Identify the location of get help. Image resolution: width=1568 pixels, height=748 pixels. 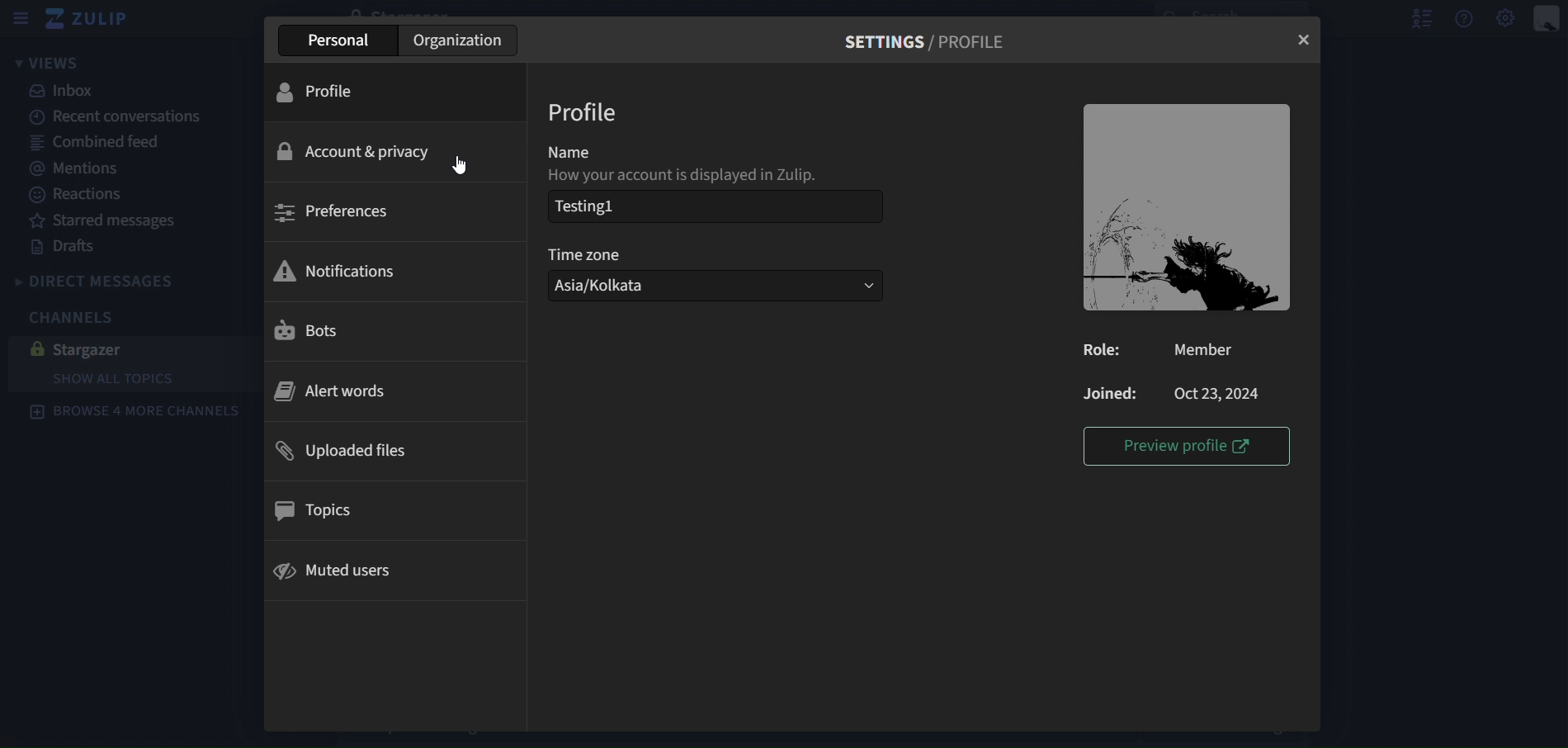
(1465, 19).